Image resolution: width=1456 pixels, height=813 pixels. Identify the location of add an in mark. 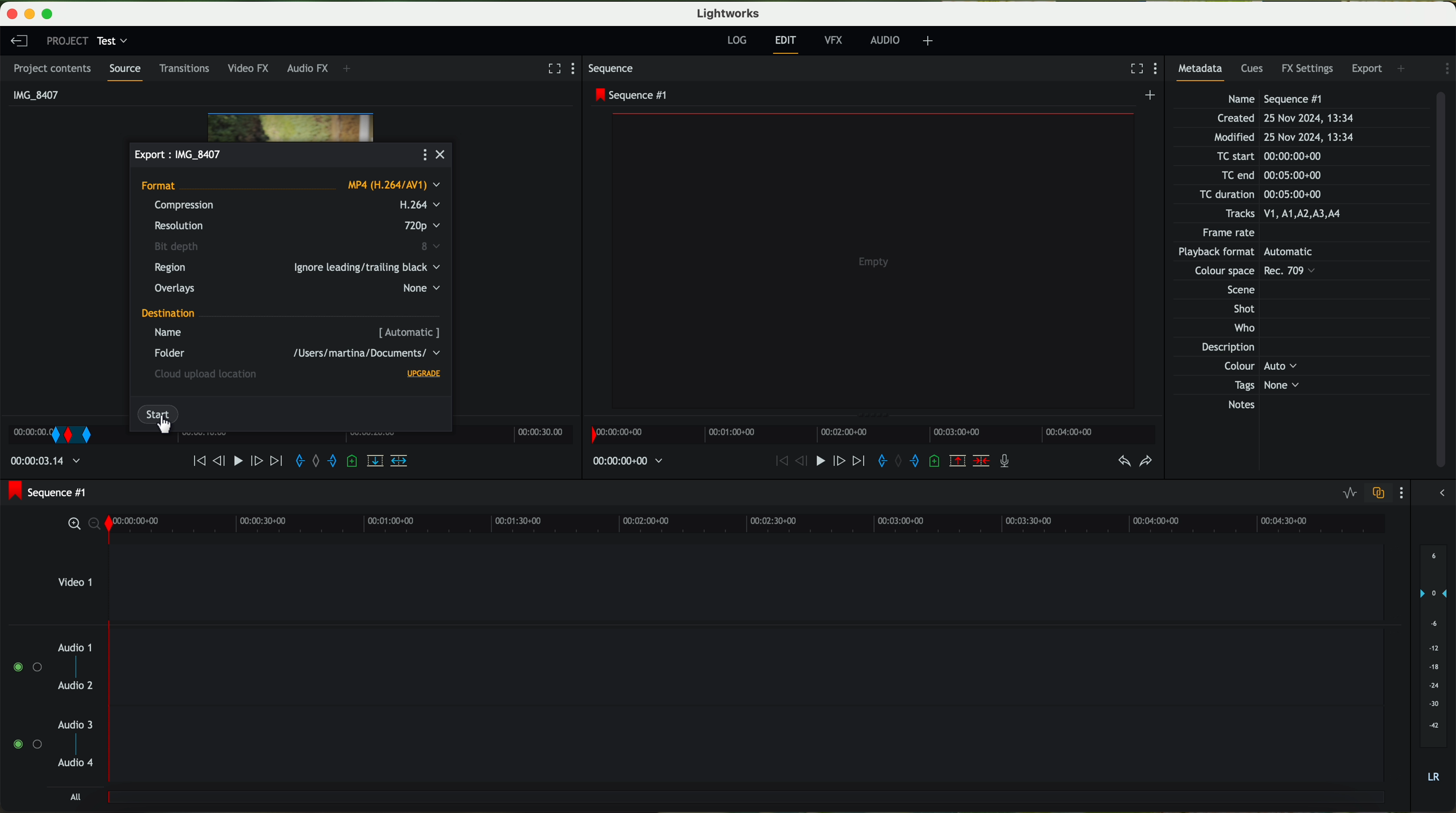
(877, 461).